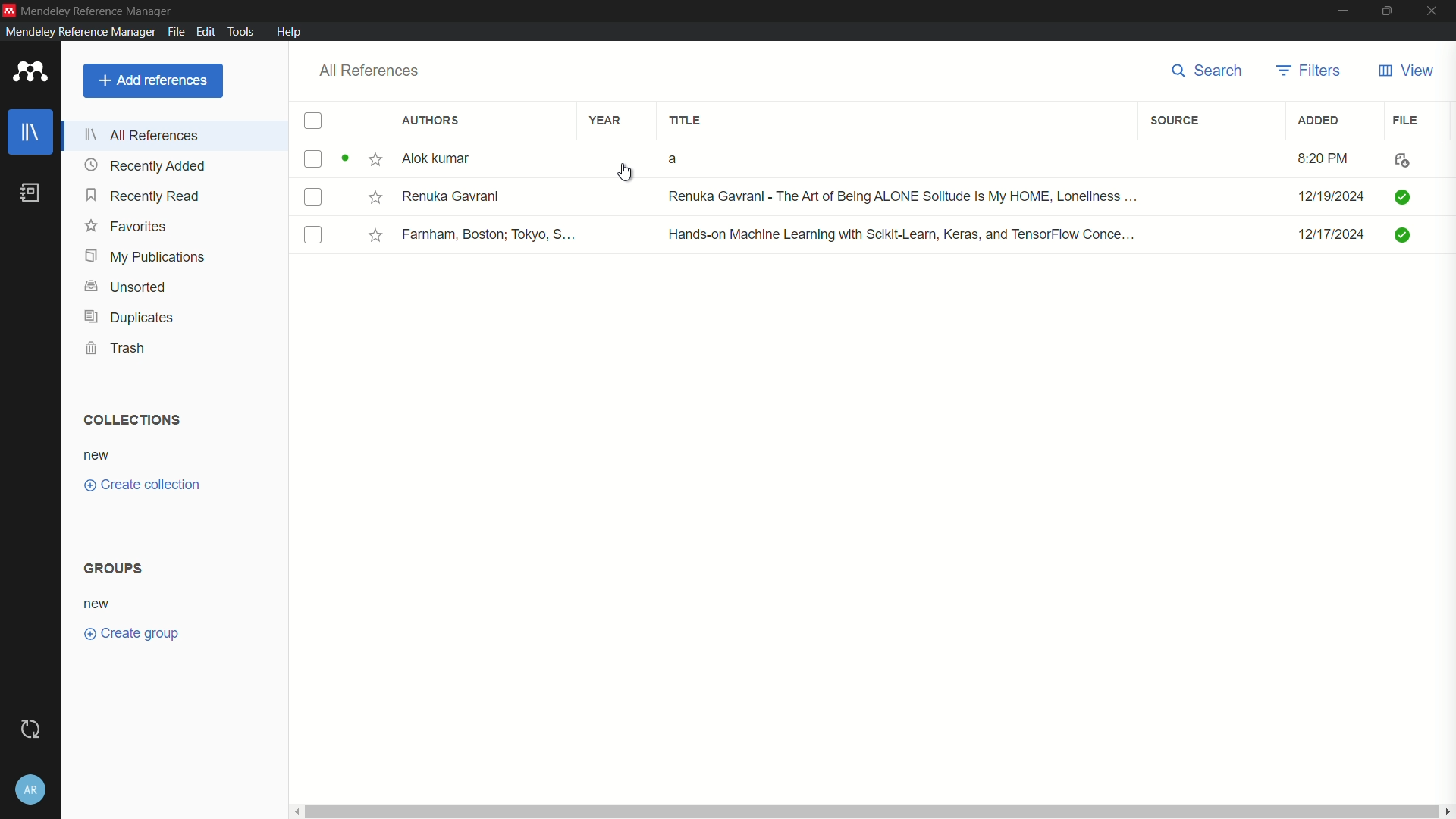 The height and width of the screenshot is (819, 1456). What do you see at coordinates (130, 632) in the screenshot?
I see `create group` at bounding box center [130, 632].